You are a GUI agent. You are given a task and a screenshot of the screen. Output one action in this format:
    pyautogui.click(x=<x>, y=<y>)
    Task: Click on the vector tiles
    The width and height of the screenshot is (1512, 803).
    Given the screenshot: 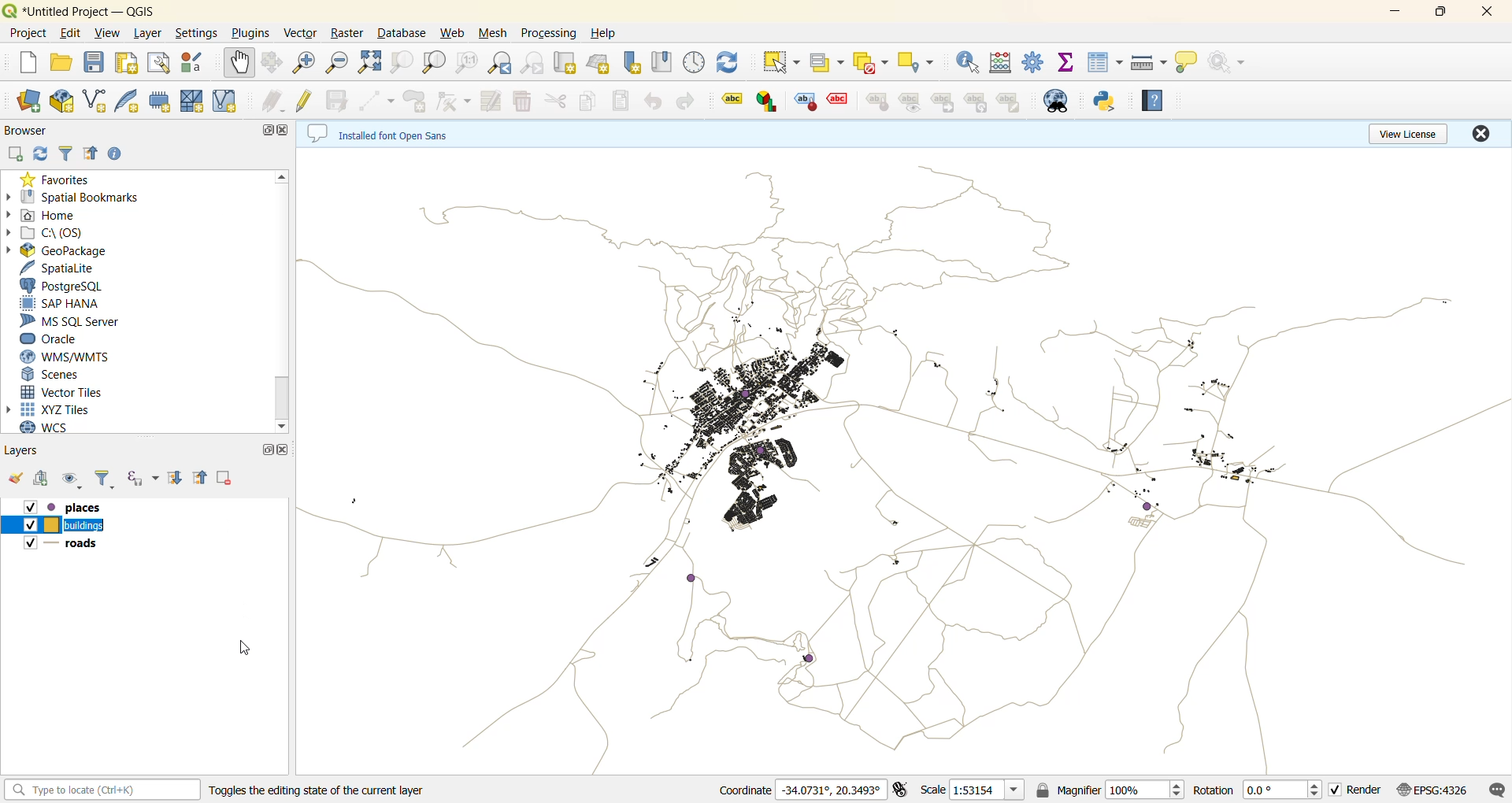 What is the action you would take?
    pyautogui.click(x=62, y=391)
    